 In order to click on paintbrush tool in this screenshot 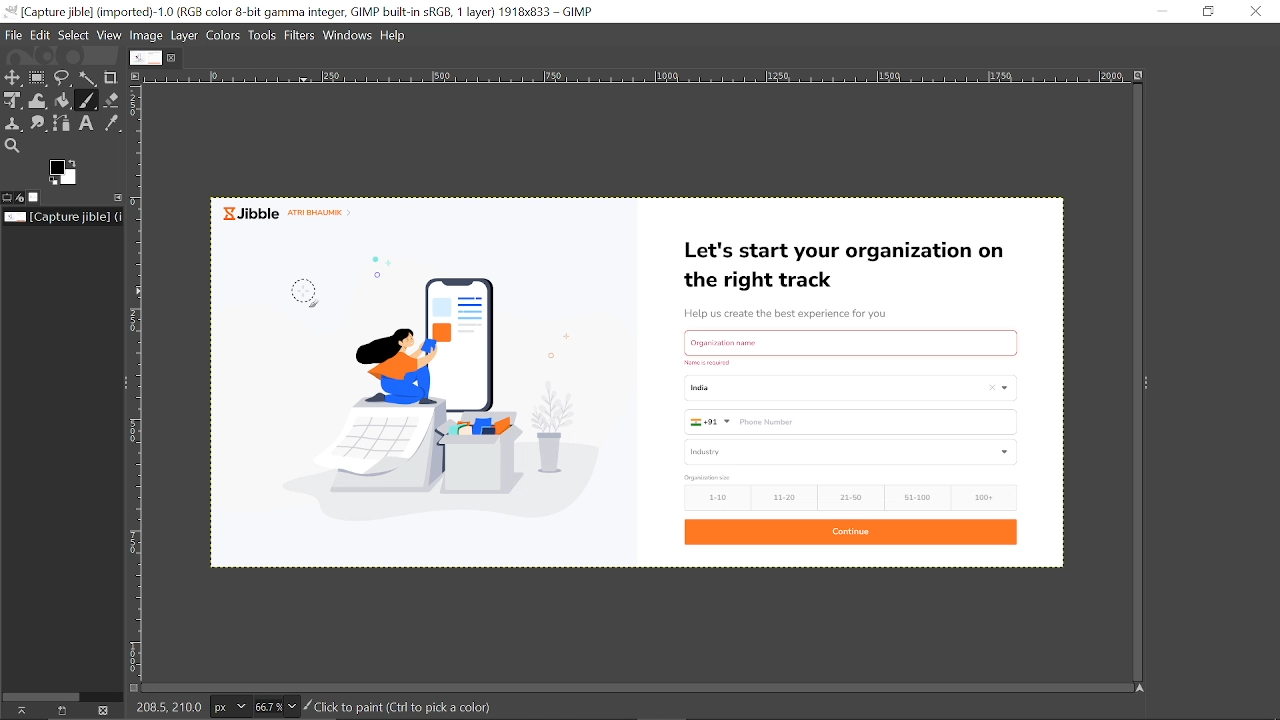, I will do `click(87, 101)`.